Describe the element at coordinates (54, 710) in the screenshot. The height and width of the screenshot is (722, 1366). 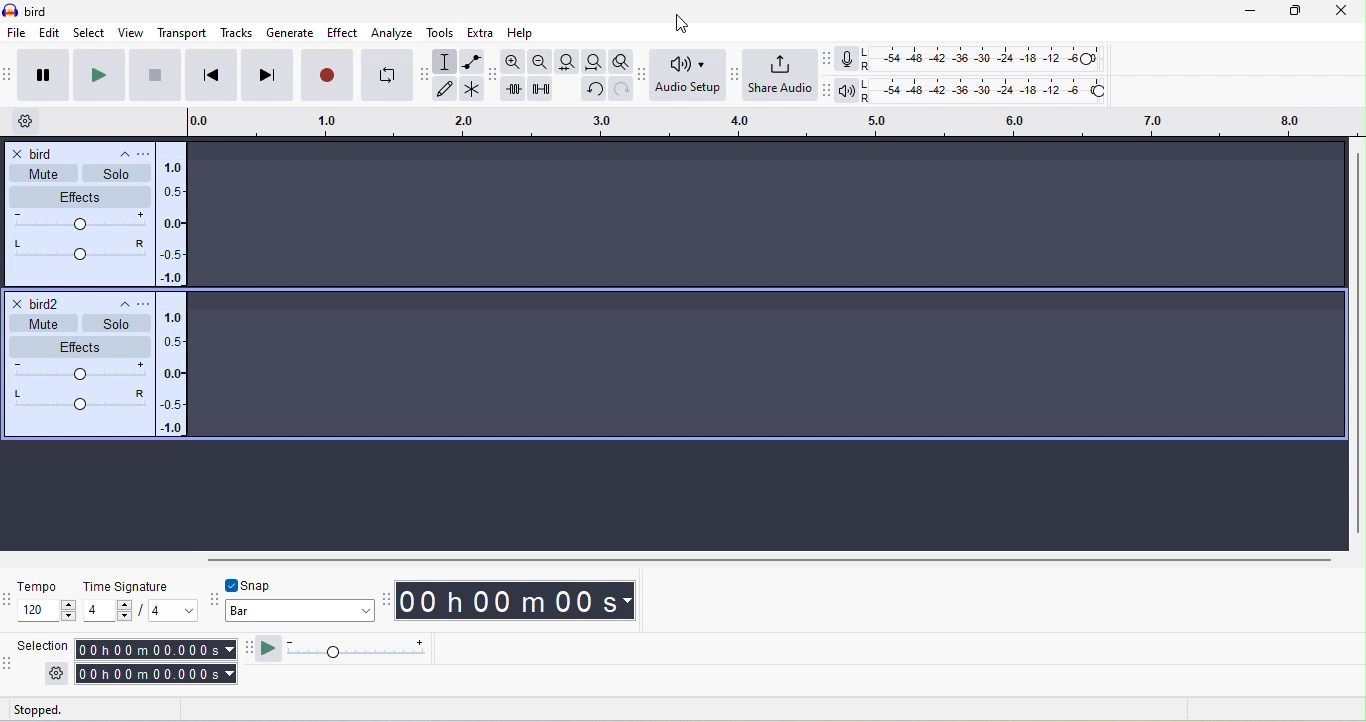
I see `stopped` at that location.